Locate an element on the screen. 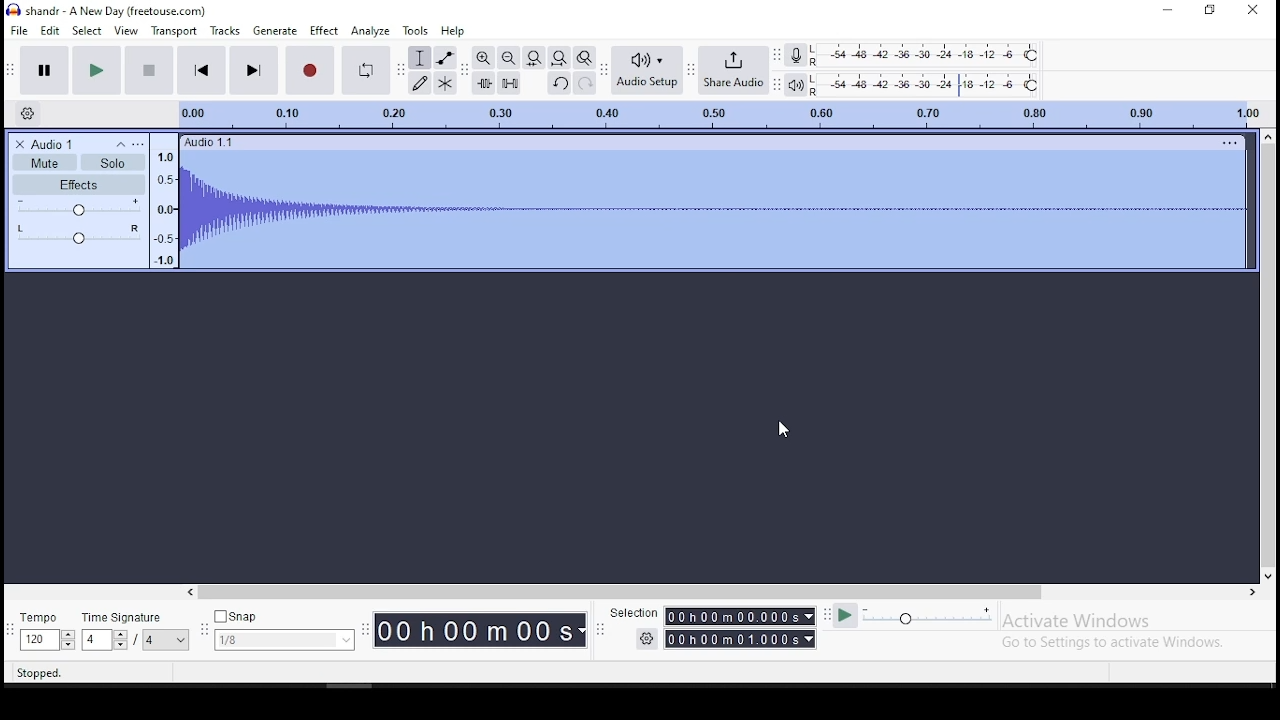  playback speed is located at coordinates (949, 616).